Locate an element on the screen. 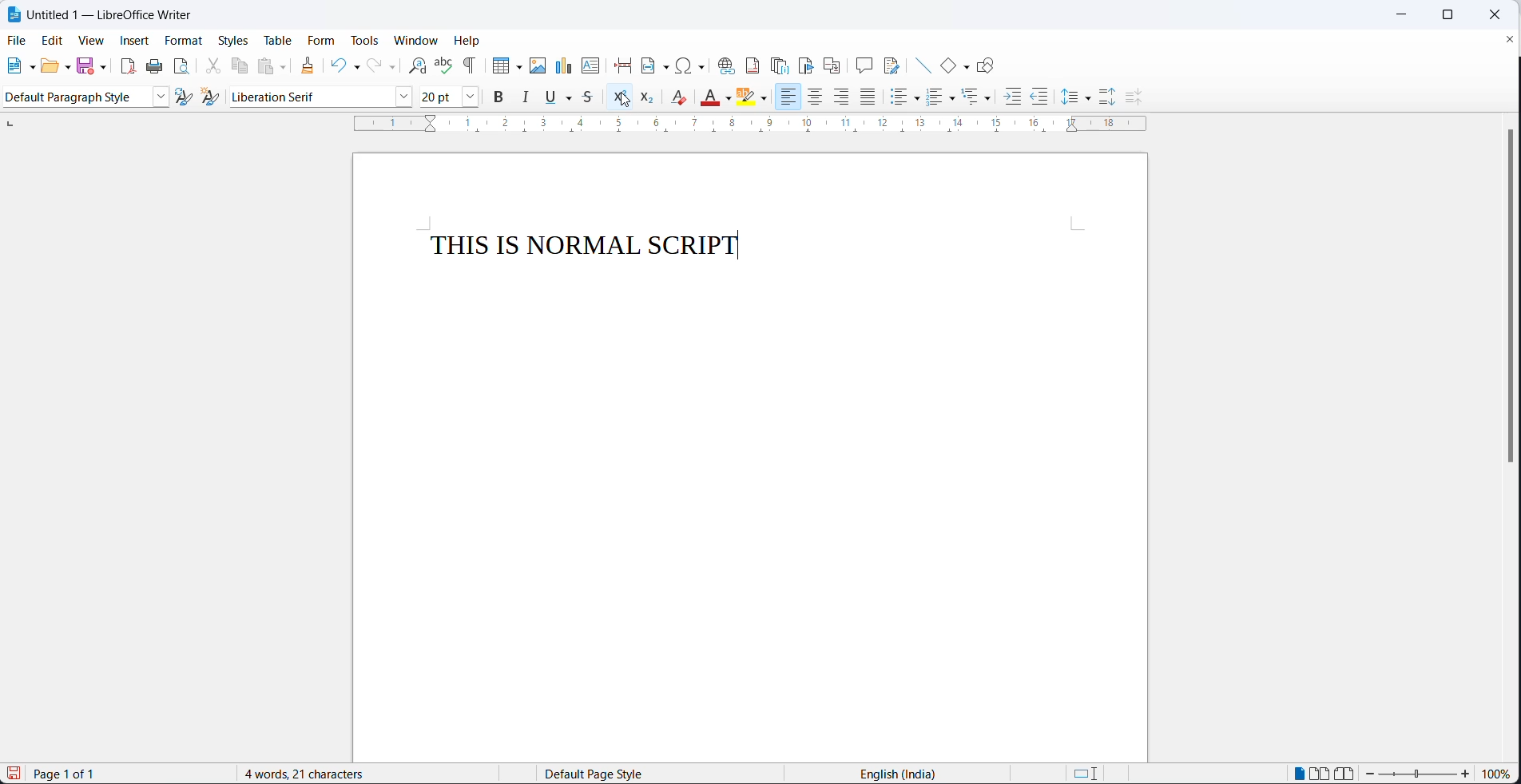 The image size is (1521, 784). increase paragraph space is located at coordinates (1107, 97).